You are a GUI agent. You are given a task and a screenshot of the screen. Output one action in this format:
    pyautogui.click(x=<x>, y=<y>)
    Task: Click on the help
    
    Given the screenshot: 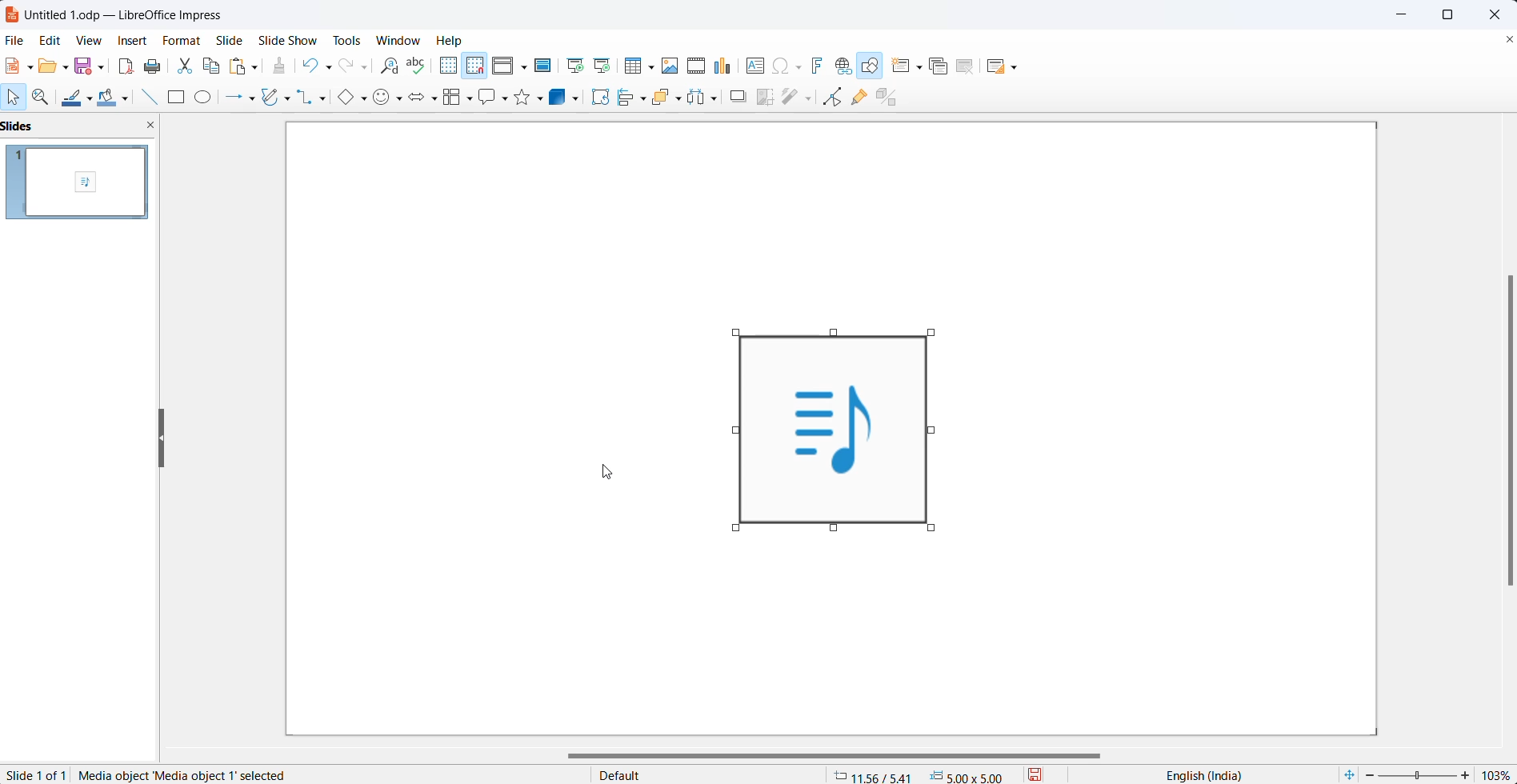 What is the action you would take?
    pyautogui.click(x=448, y=40)
    